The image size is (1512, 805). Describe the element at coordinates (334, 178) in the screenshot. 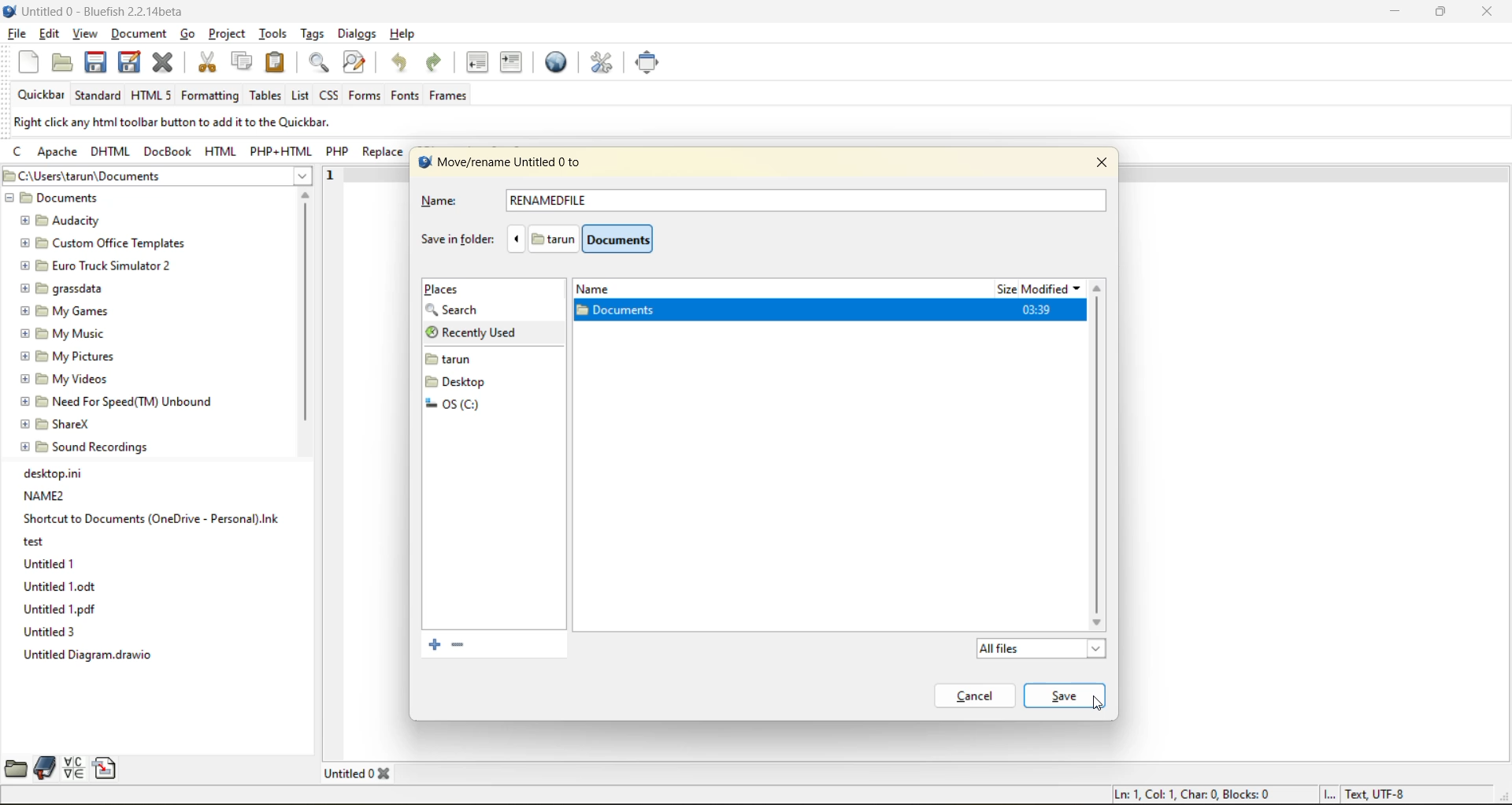

I see `1` at that location.